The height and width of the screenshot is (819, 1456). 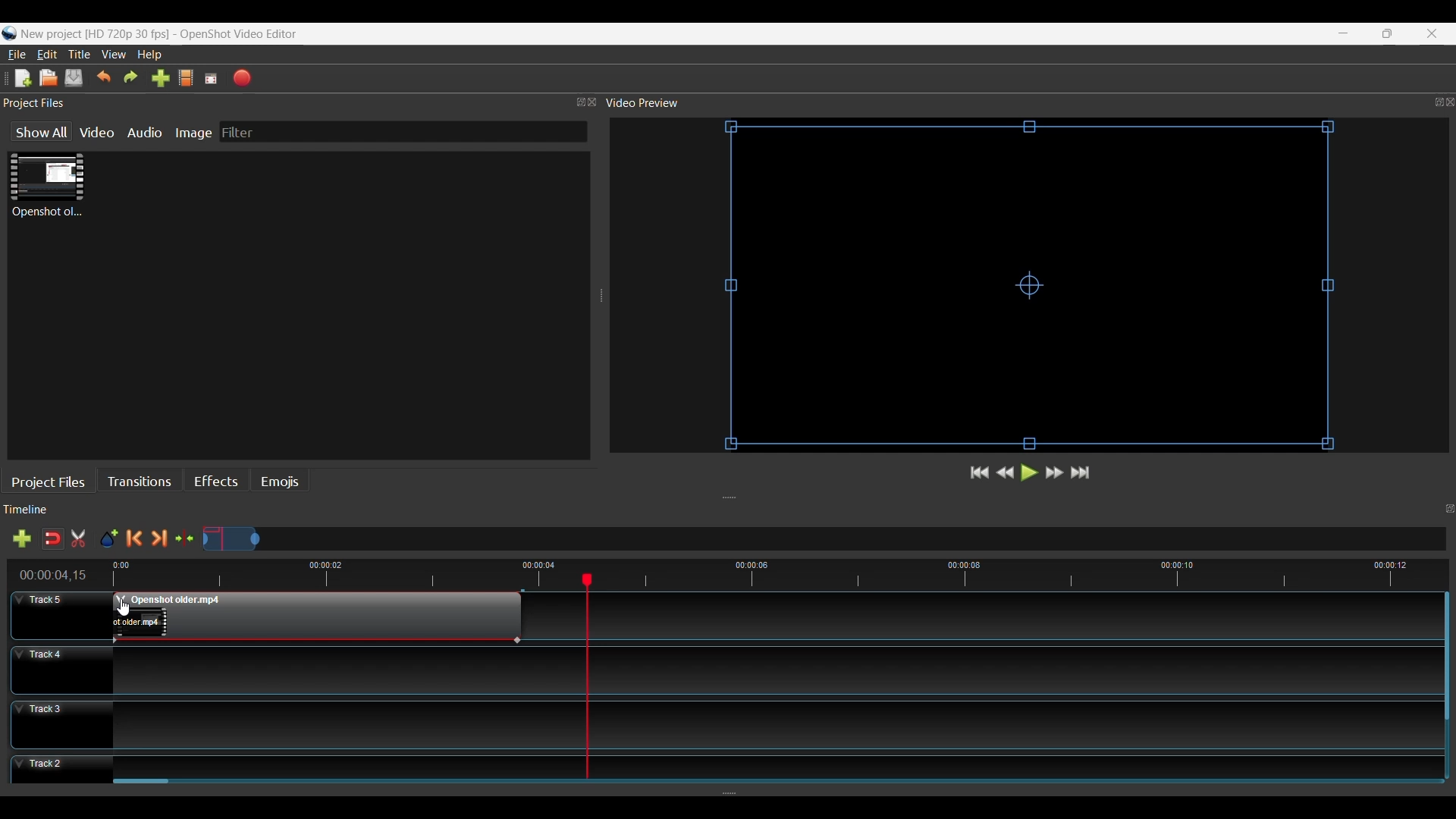 What do you see at coordinates (137, 538) in the screenshot?
I see `Previous marker` at bounding box center [137, 538].